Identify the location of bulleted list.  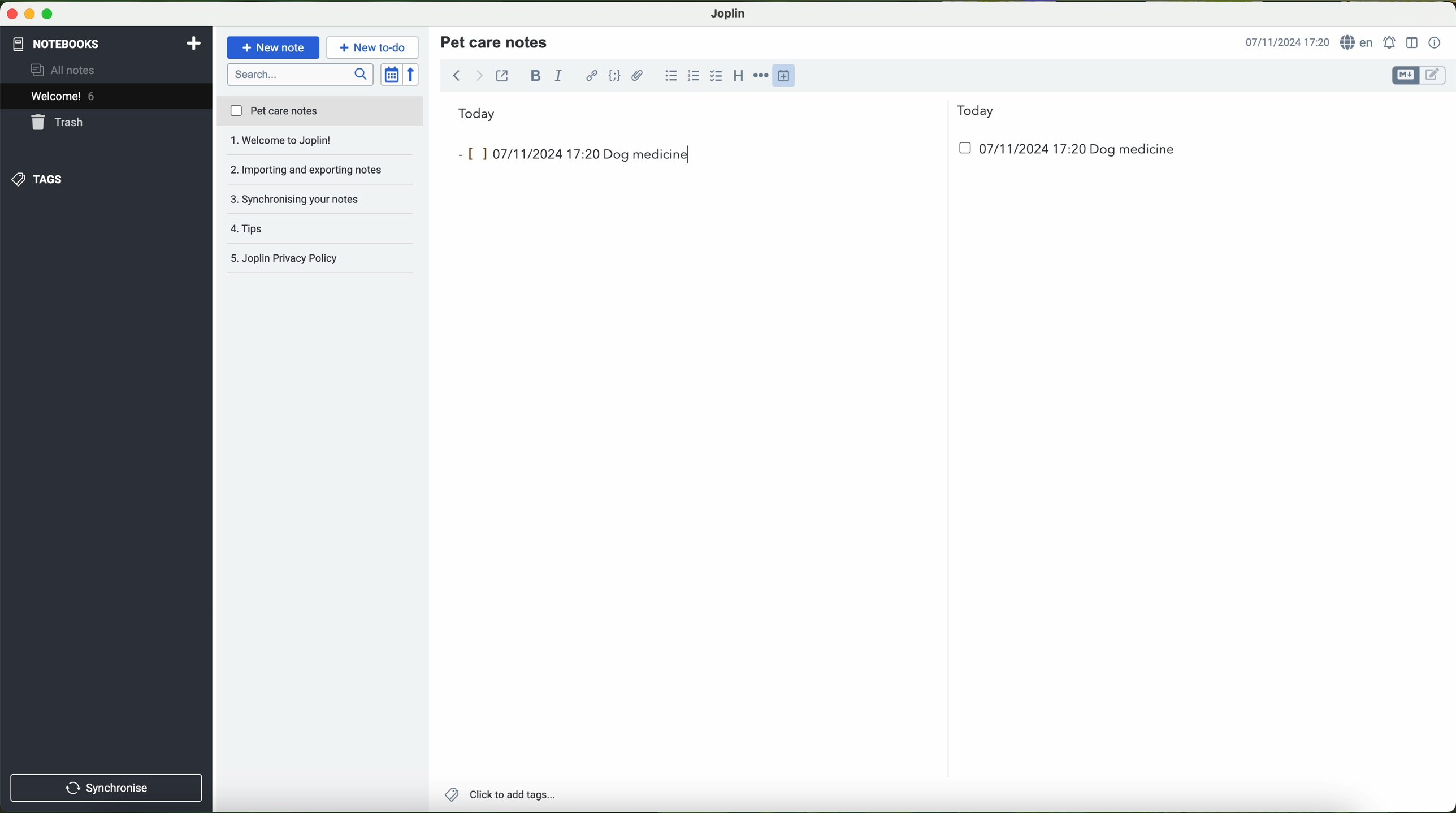
(669, 76).